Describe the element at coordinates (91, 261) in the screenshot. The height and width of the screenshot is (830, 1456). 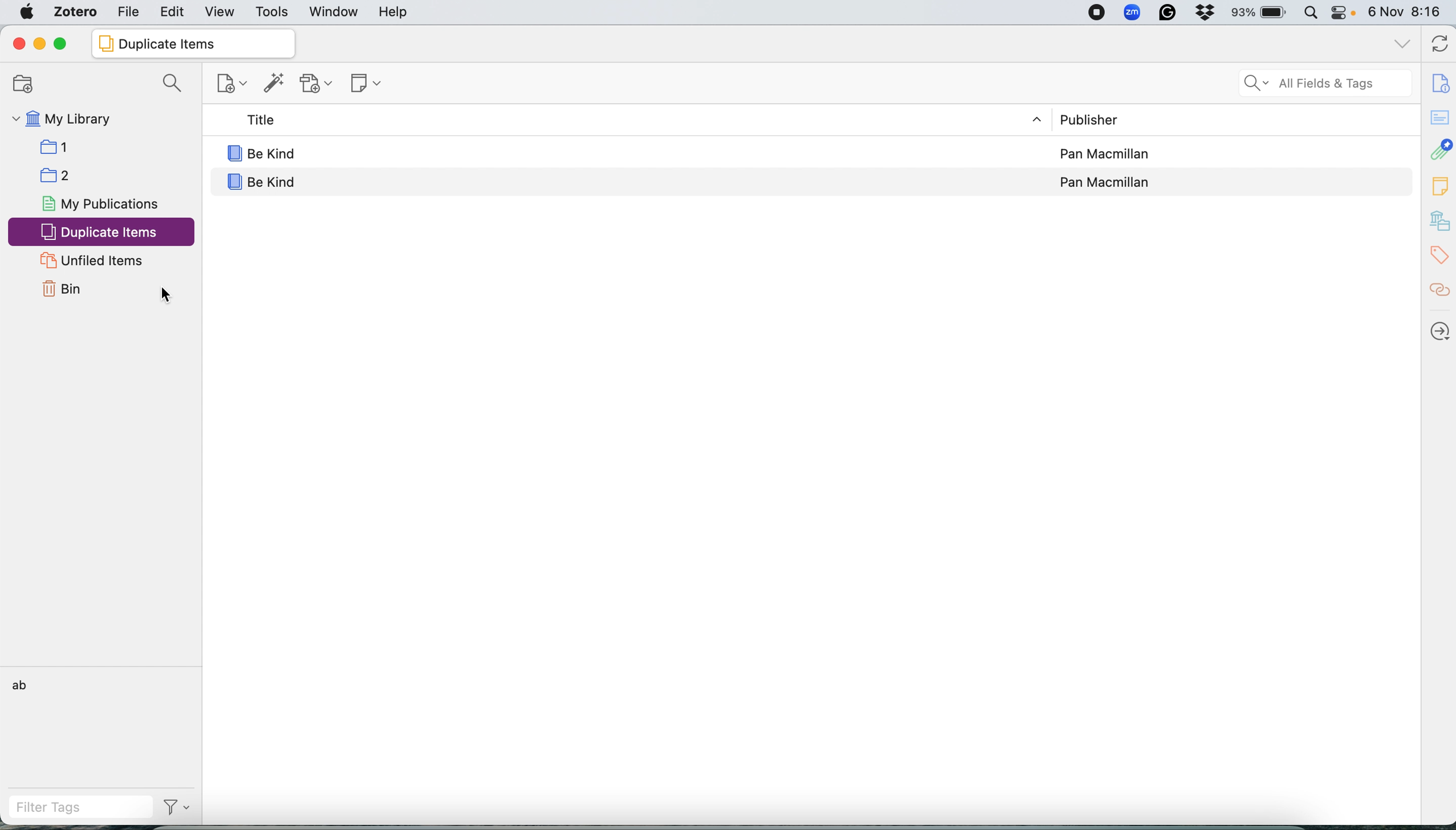
I see `unfiled items` at that location.